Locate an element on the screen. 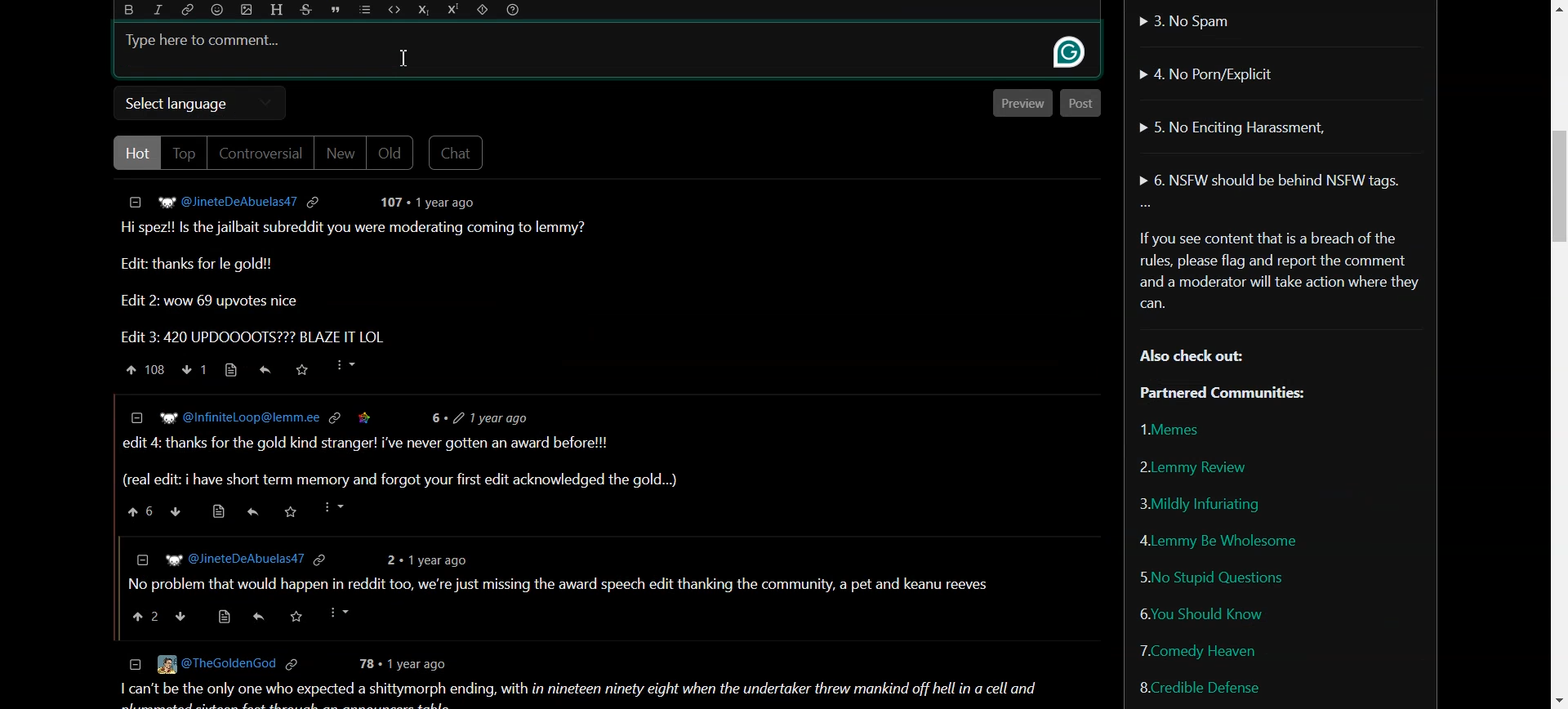 This screenshot has width=1568, height=709. Edit: thanks for le gold!! is located at coordinates (190, 263).